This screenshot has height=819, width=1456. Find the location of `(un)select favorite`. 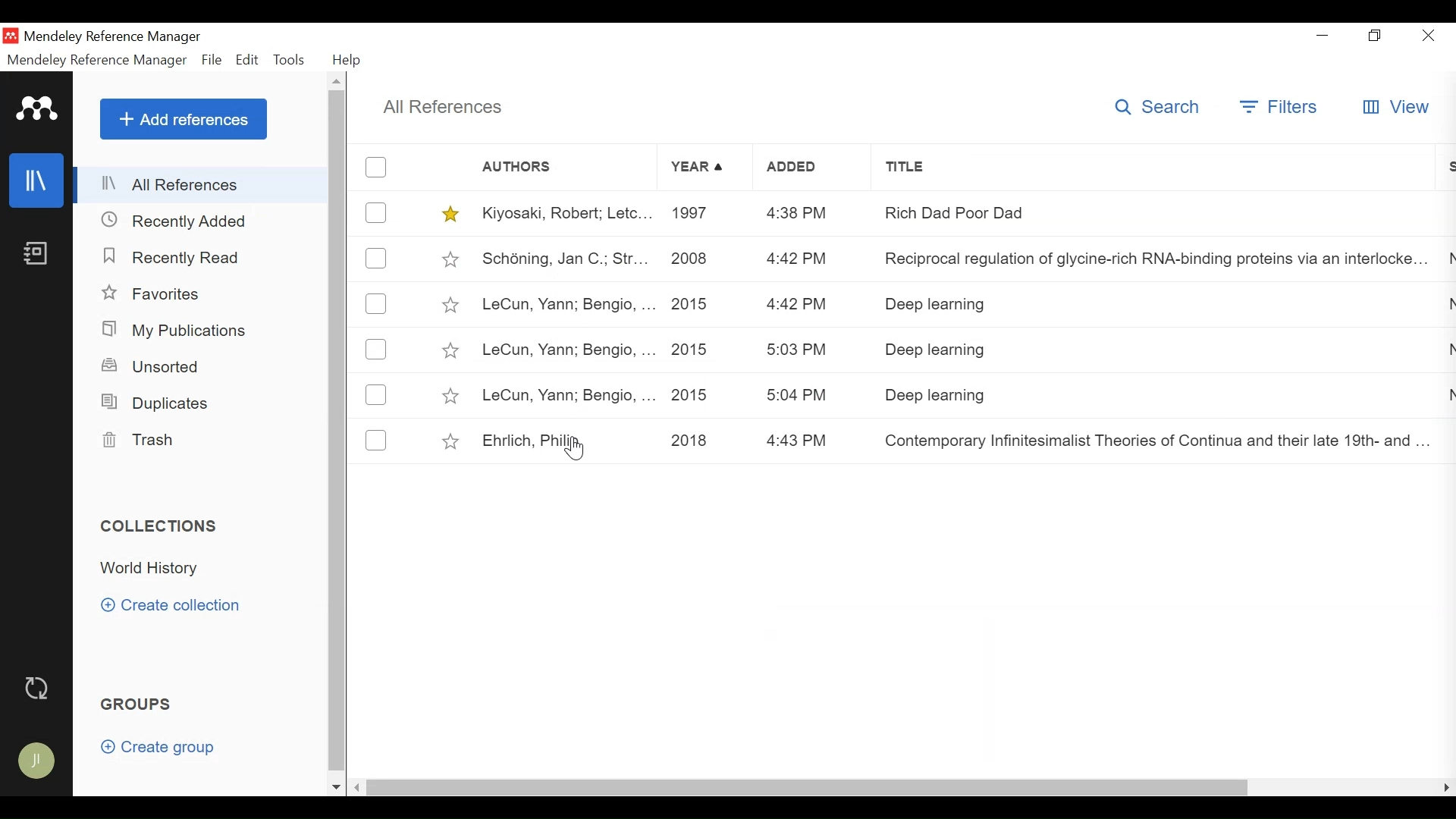

(un)select favorite is located at coordinates (449, 305).